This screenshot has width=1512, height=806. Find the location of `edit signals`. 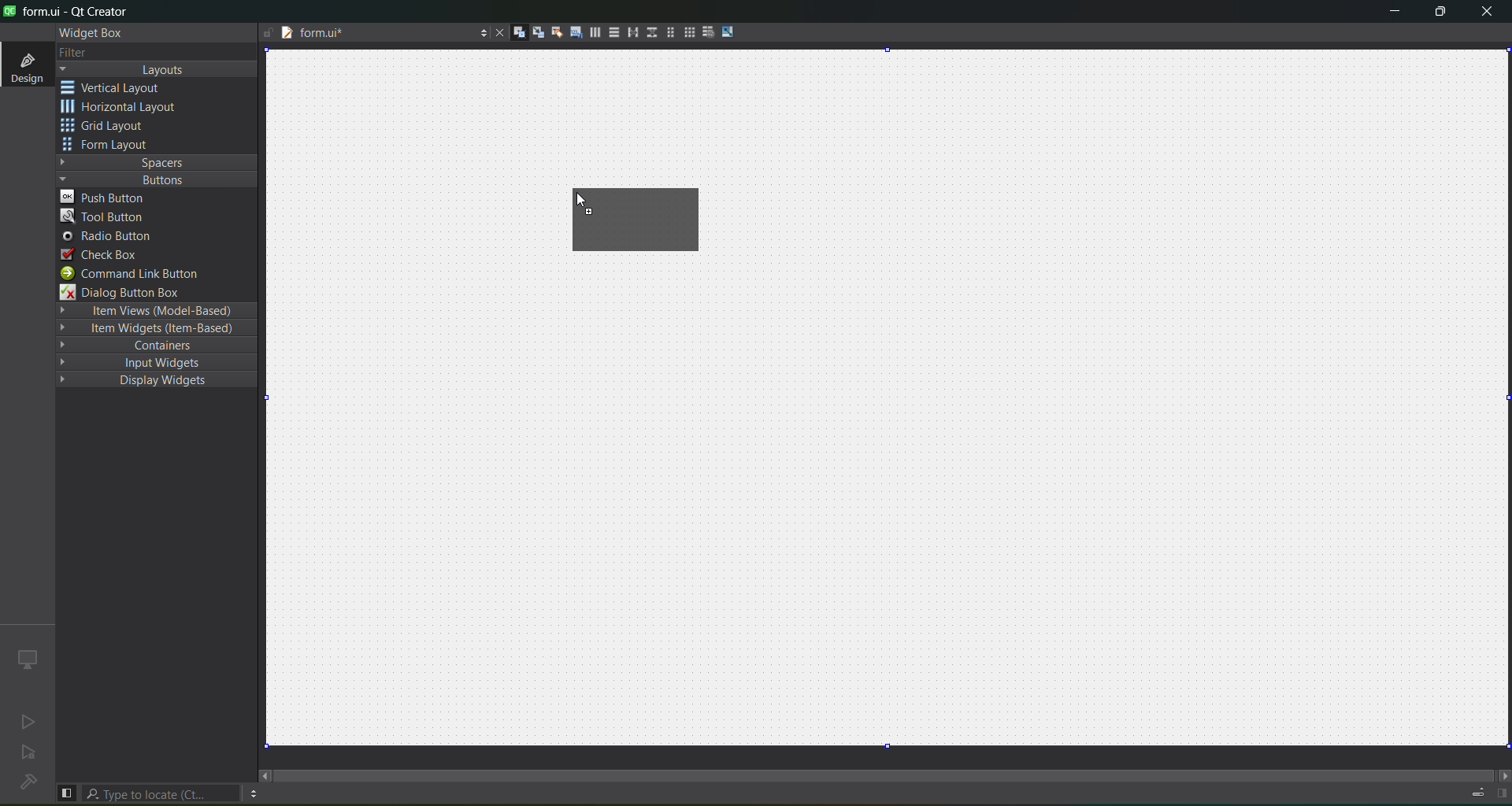

edit signals is located at coordinates (538, 35).